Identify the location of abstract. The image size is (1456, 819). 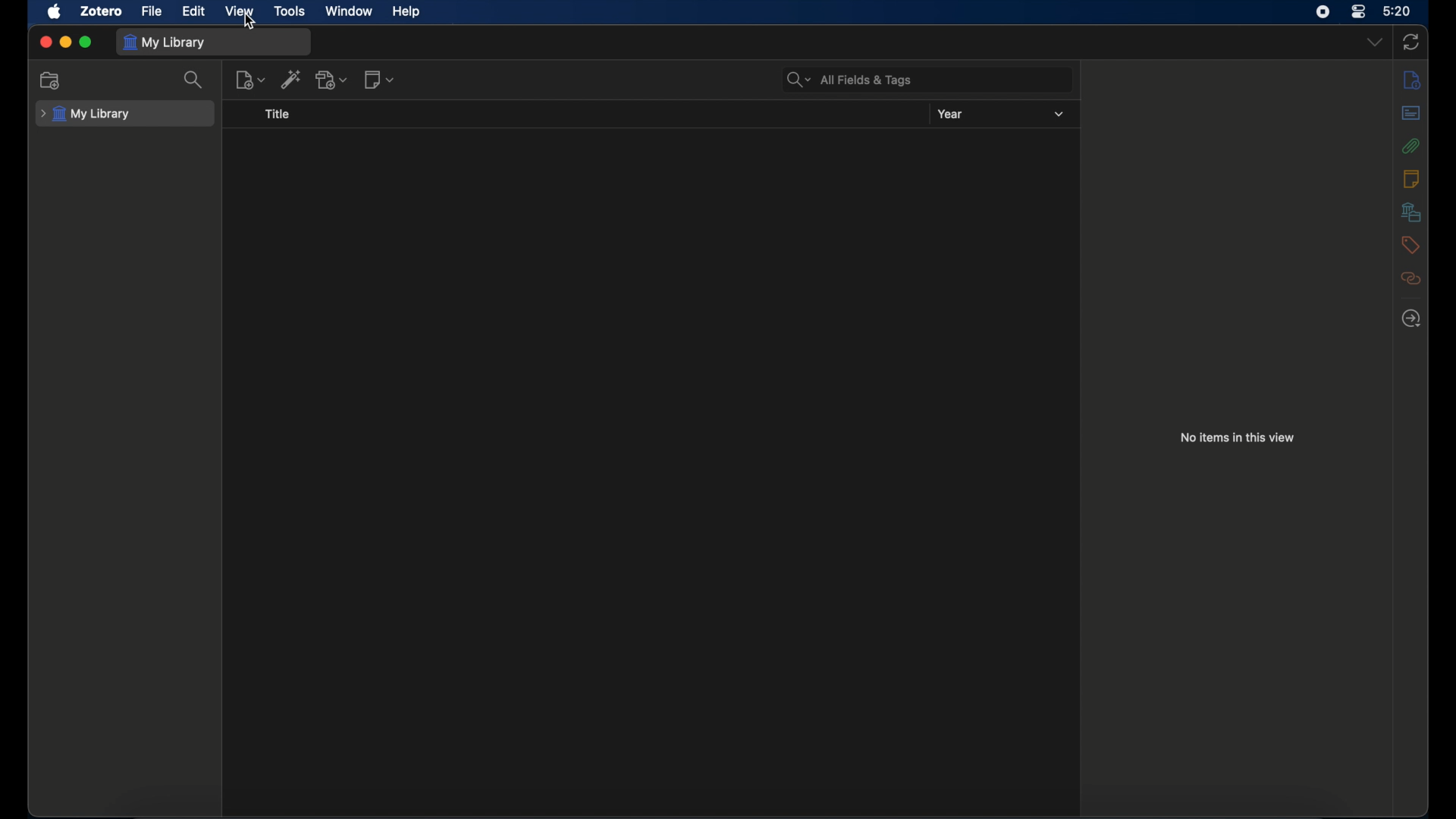
(1411, 112).